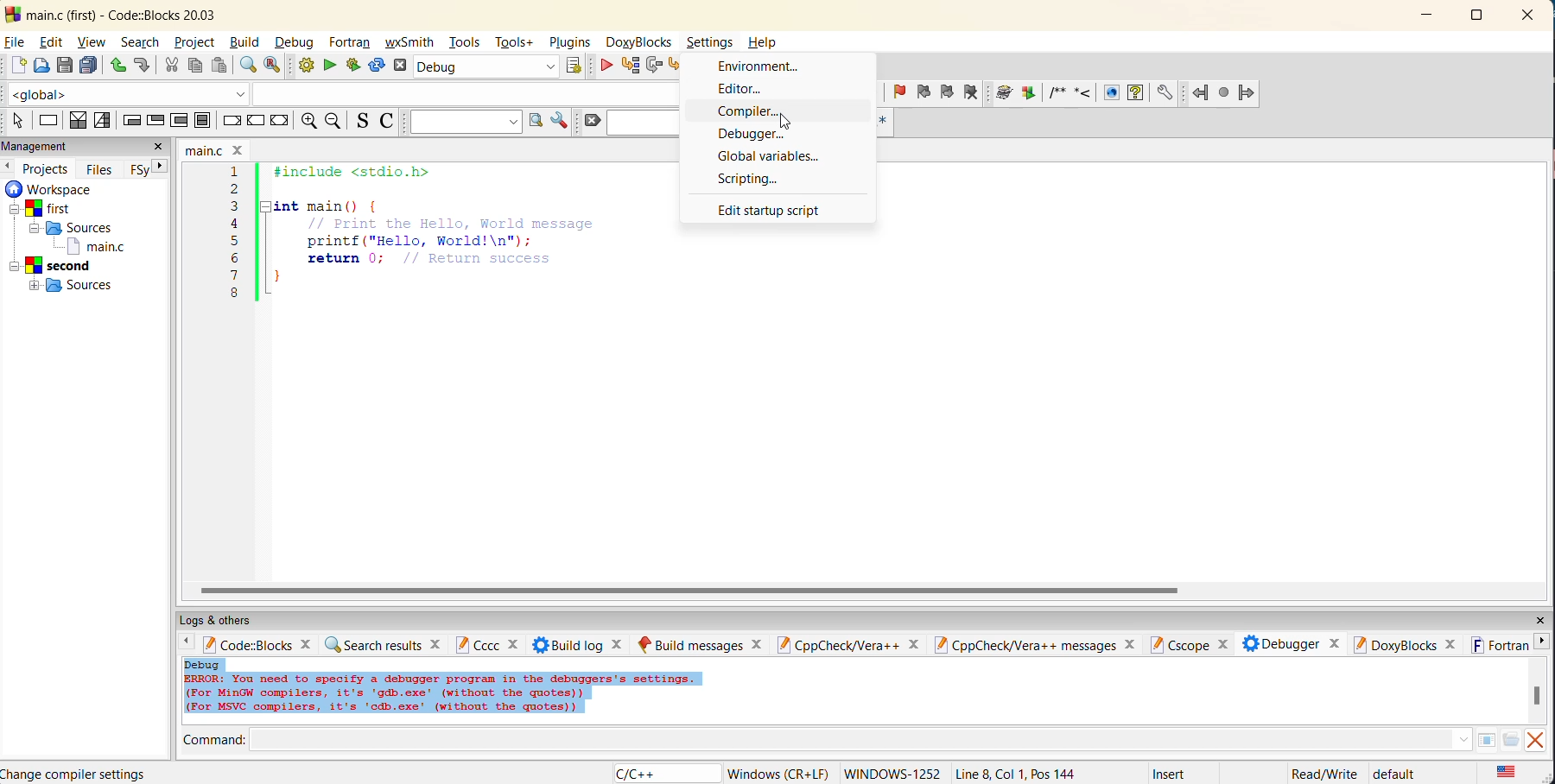 This screenshot has width=1555, height=784. What do you see at coordinates (577, 66) in the screenshot?
I see `show target select dialog` at bounding box center [577, 66].